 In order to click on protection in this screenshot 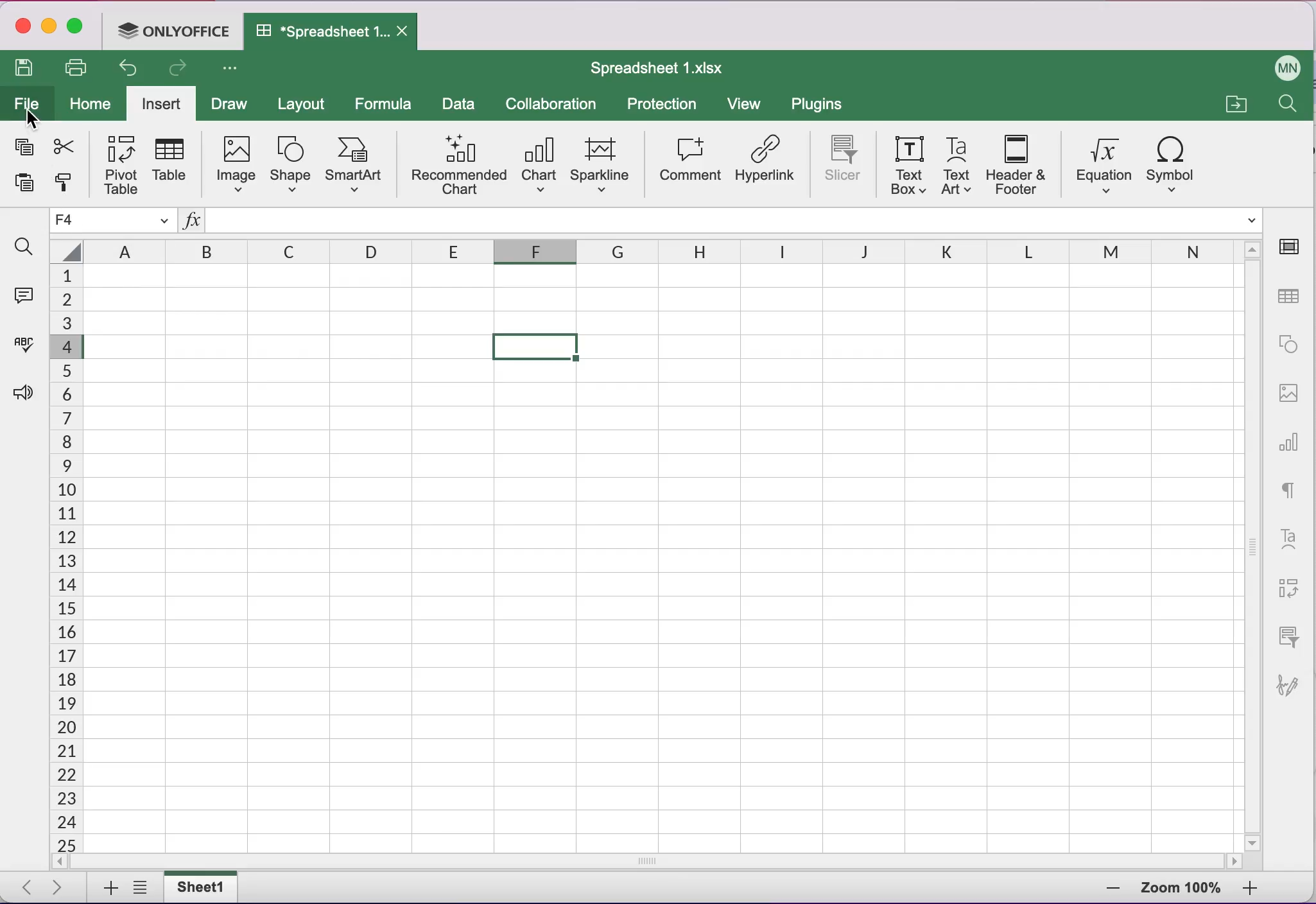, I will do `click(666, 105)`.